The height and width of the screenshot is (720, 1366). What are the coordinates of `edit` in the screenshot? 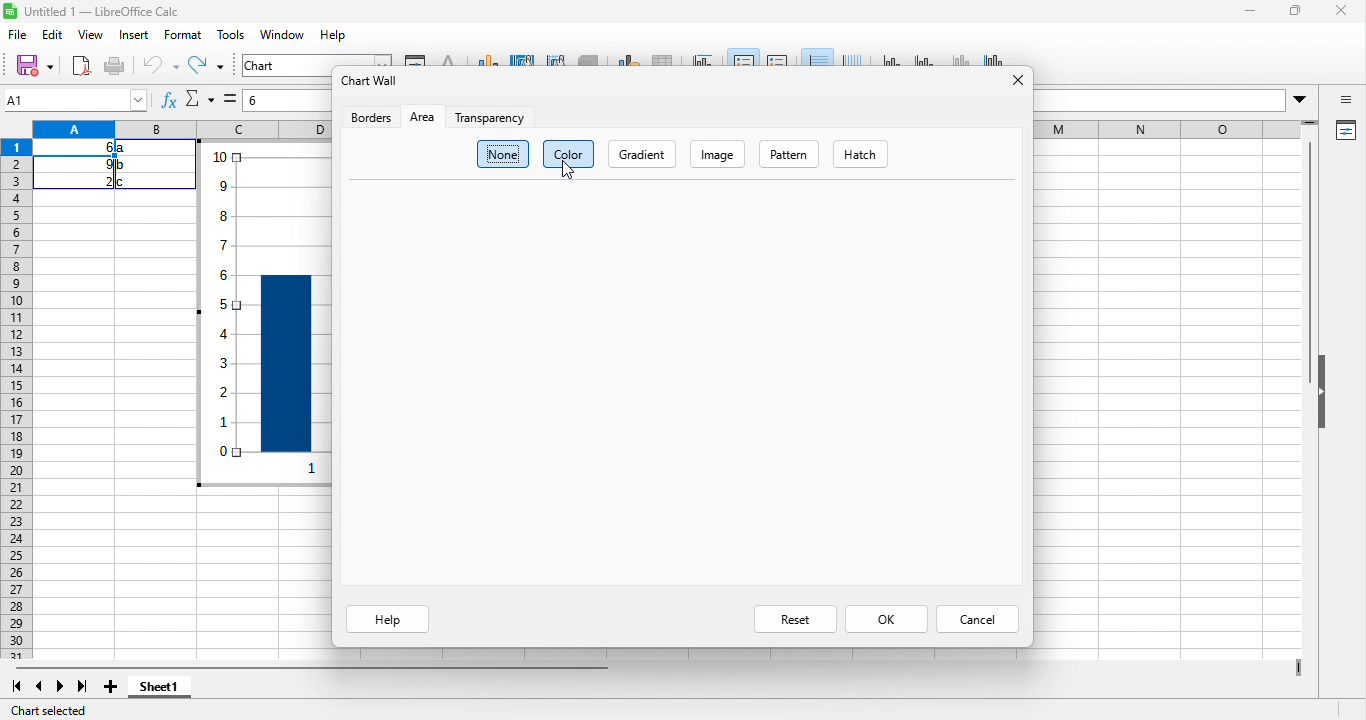 It's located at (55, 37).